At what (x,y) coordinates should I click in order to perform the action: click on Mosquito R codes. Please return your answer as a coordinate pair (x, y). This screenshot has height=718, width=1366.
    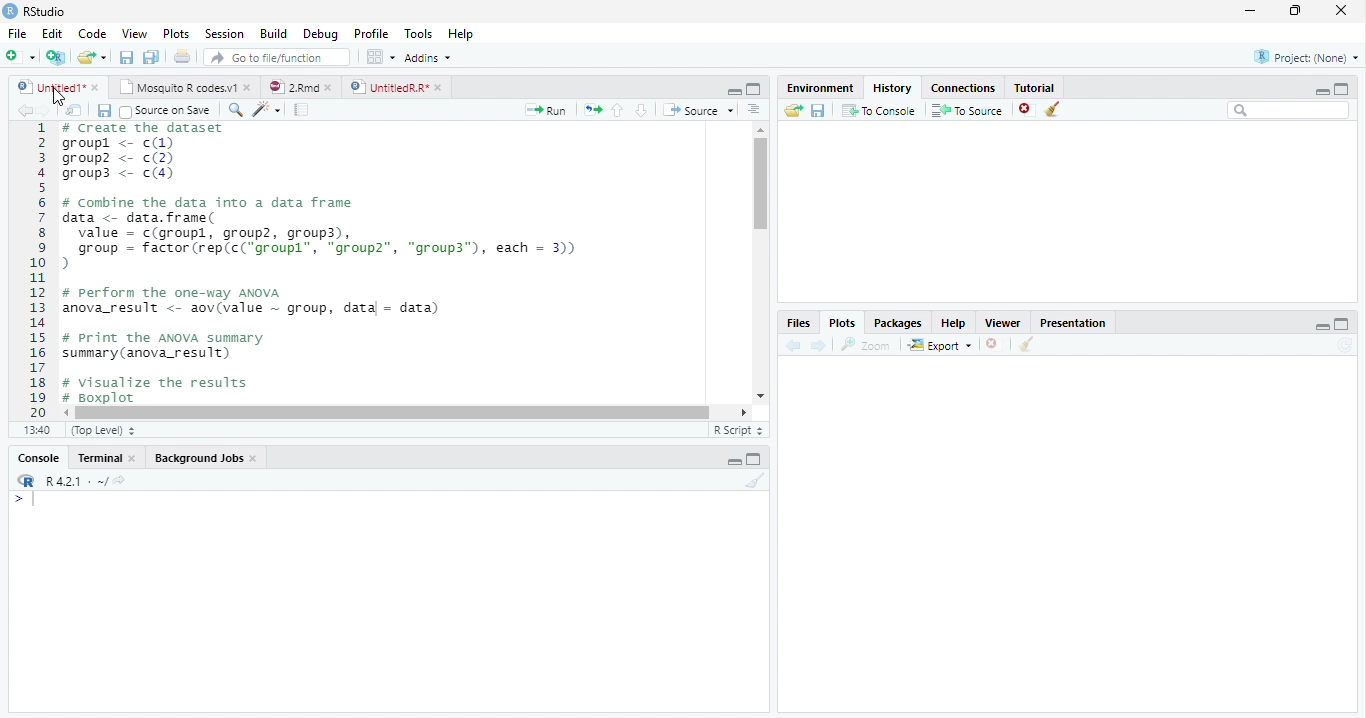
    Looking at the image, I should click on (184, 87).